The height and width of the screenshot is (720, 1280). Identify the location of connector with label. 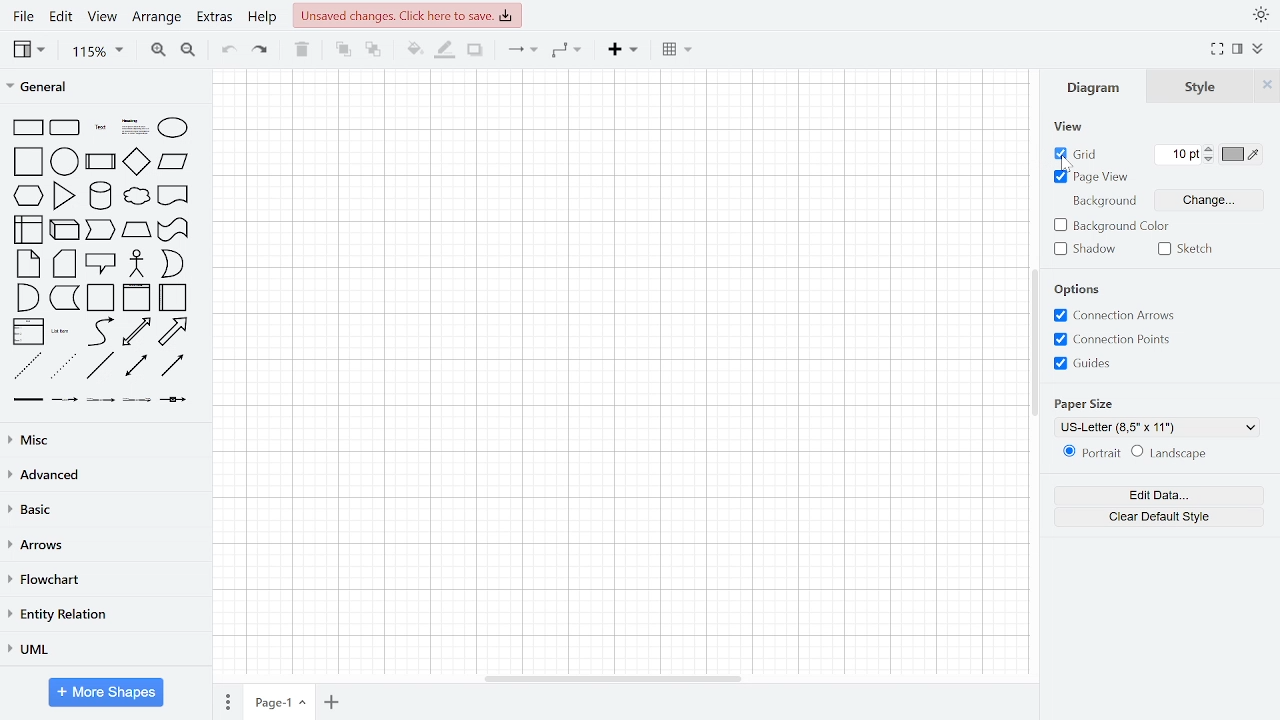
(65, 399).